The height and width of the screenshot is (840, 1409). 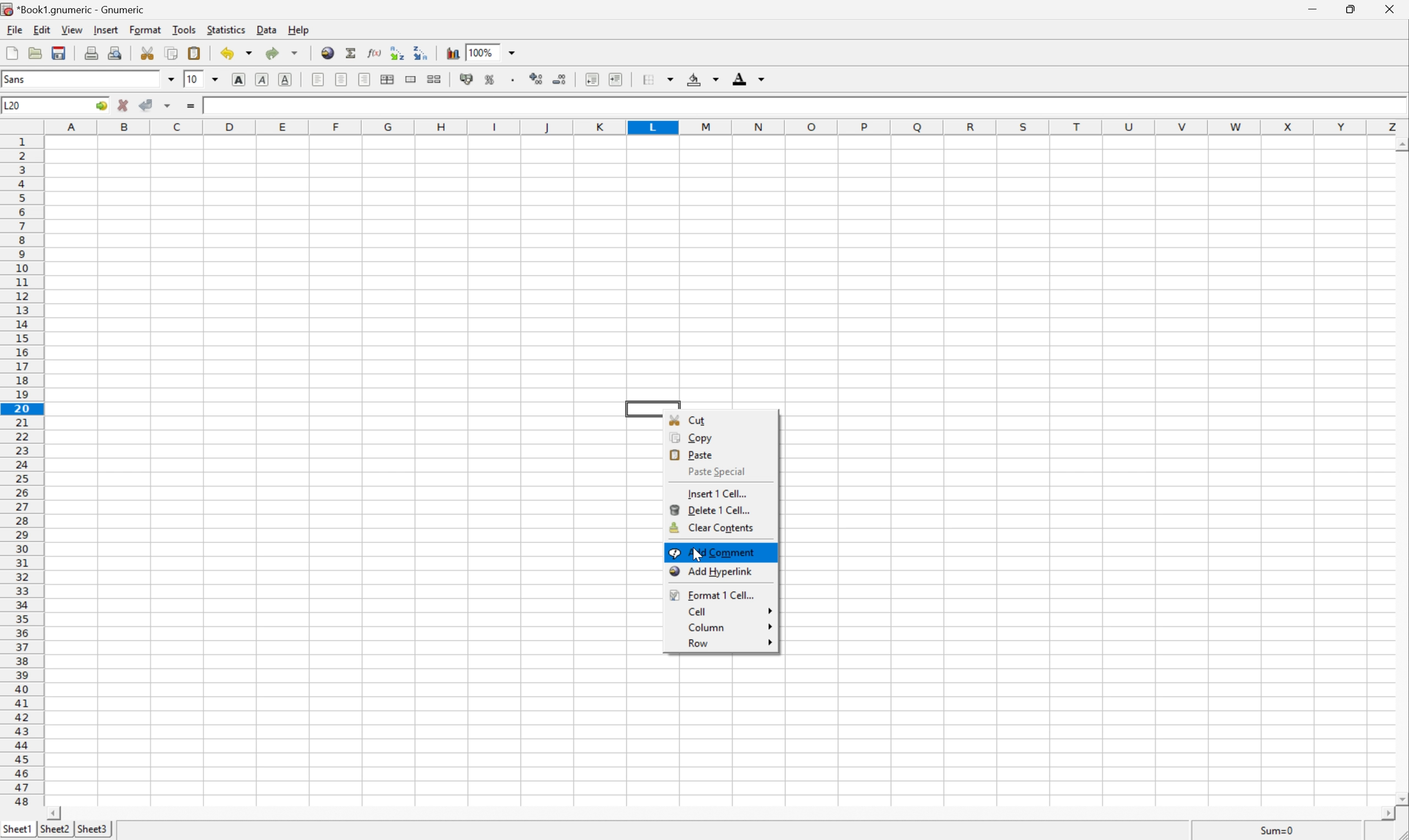 I want to click on Scroll Down, so click(x=1399, y=796).